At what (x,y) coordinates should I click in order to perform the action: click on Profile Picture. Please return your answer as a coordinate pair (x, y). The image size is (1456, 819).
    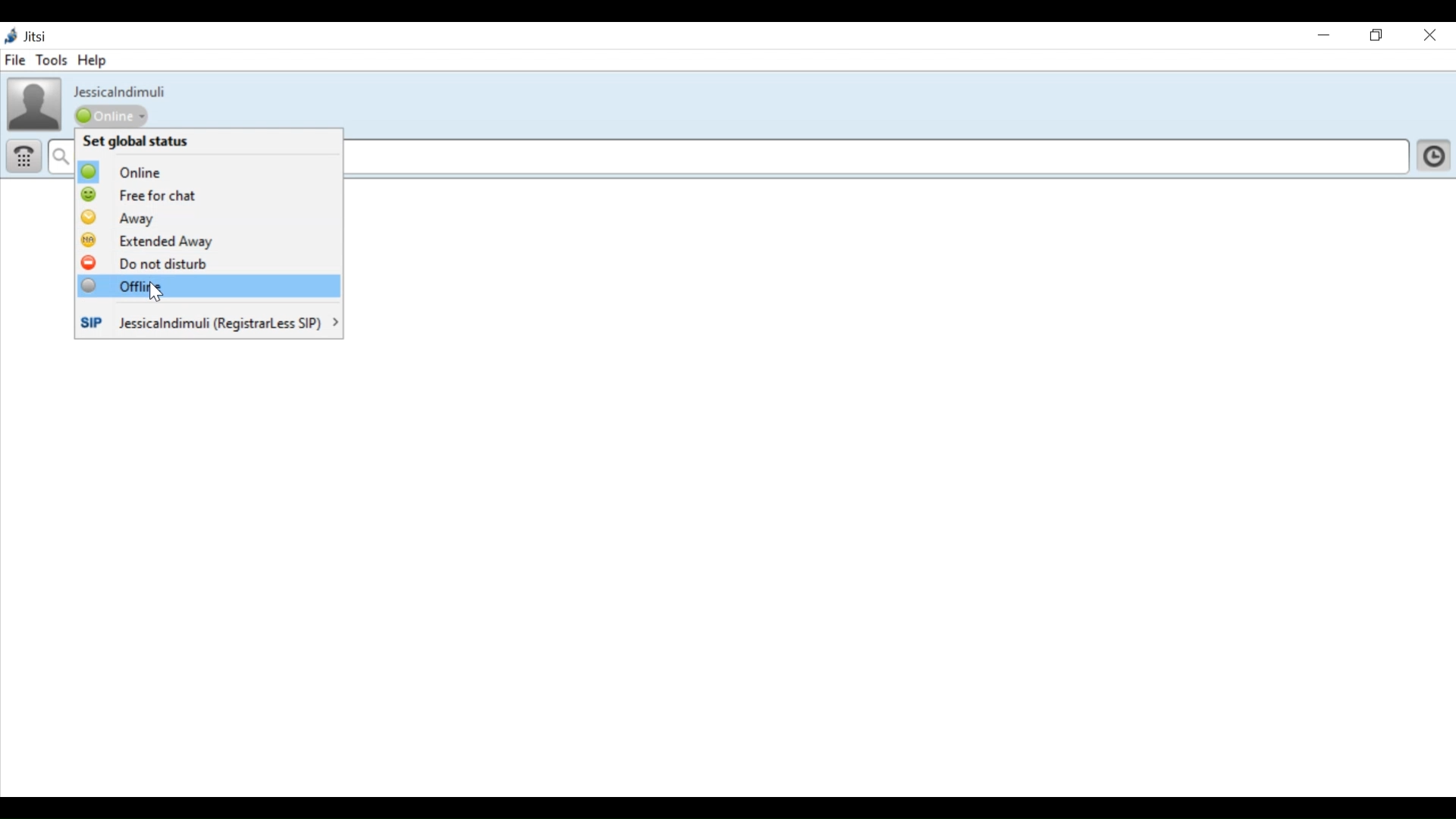
    Looking at the image, I should click on (33, 103).